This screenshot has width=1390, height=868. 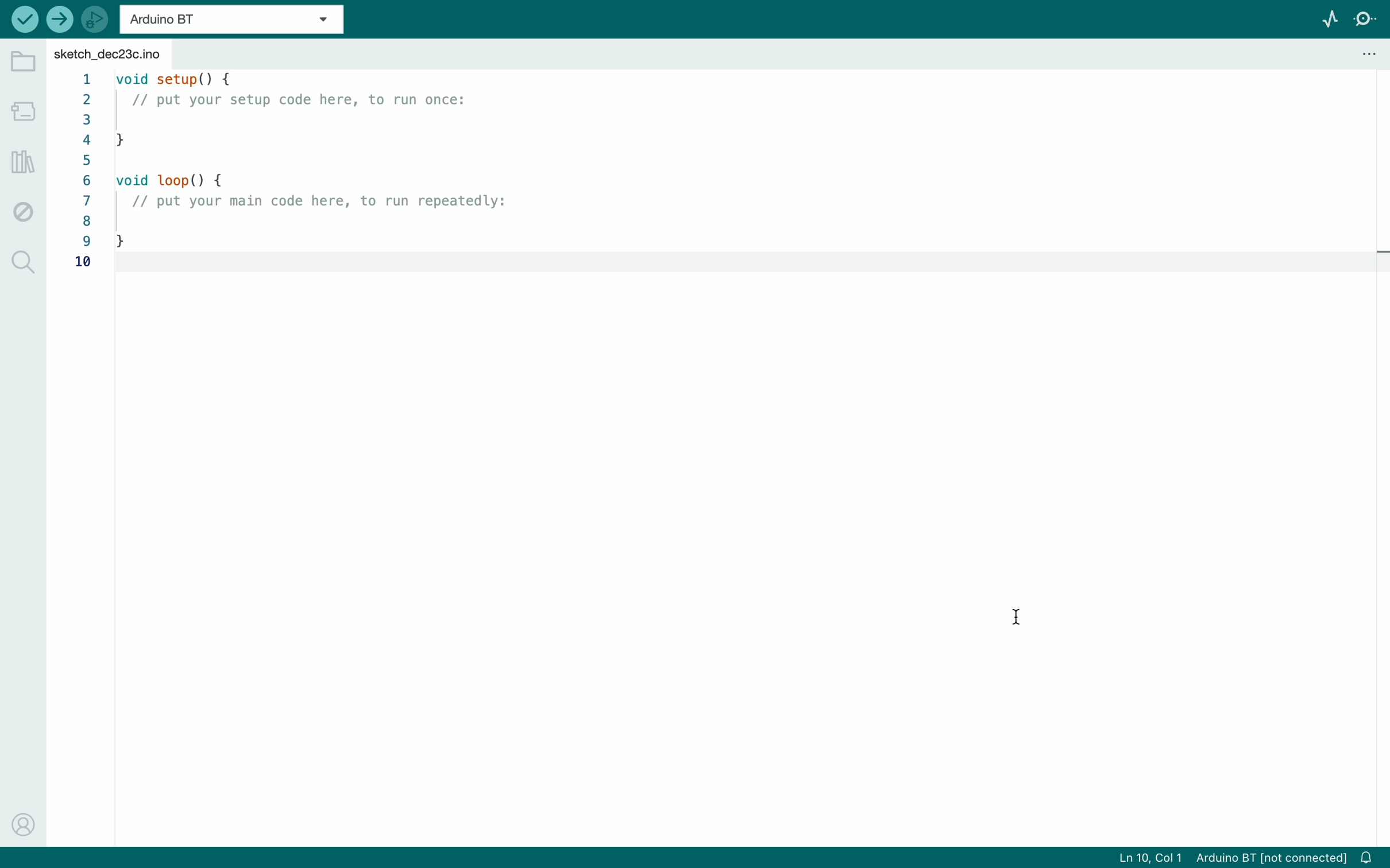 I want to click on file imformation, so click(x=1220, y=858).